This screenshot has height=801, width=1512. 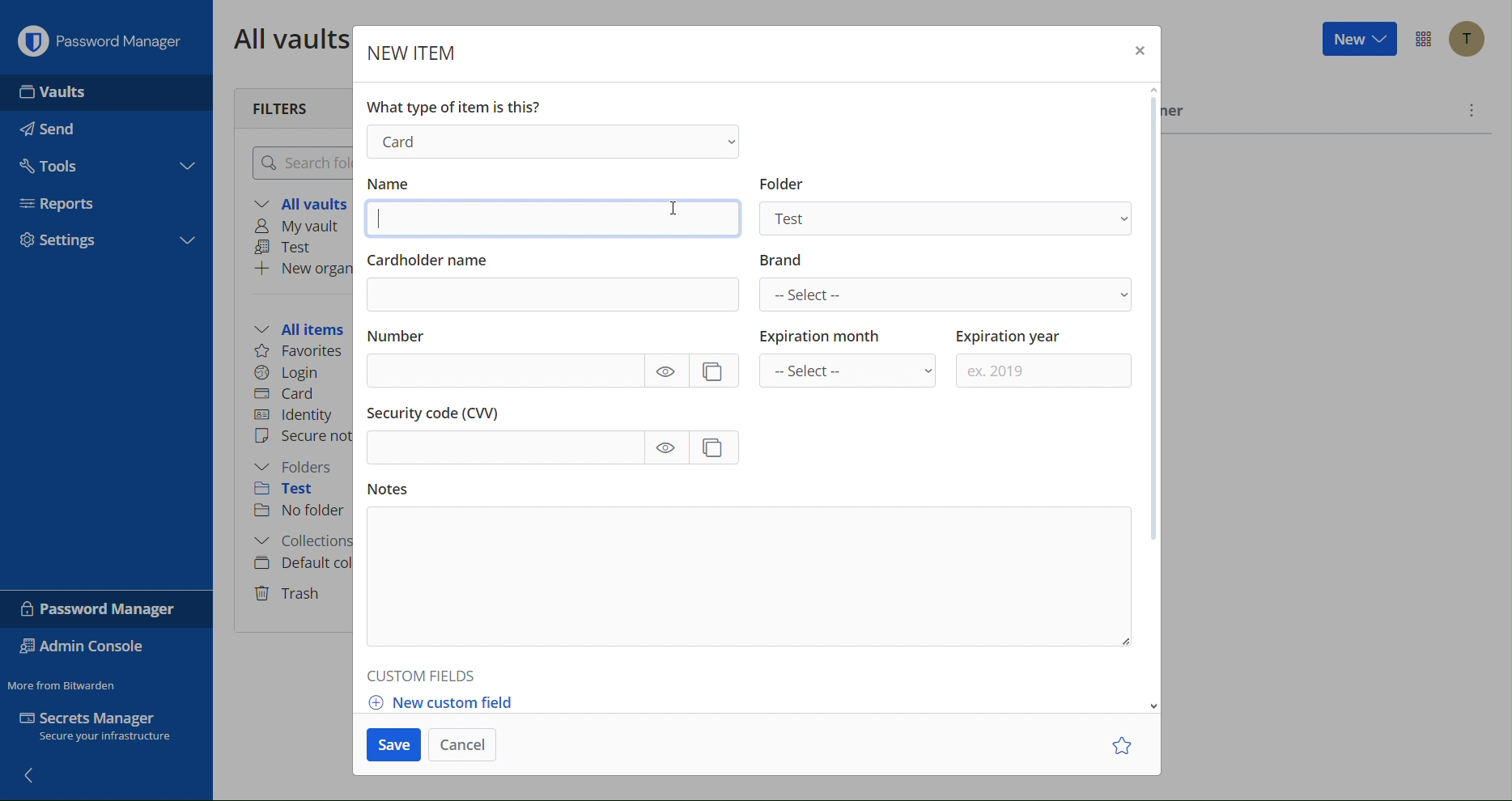 What do you see at coordinates (389, 489) in the screenshot?
I see `Notes` at bounding box center [389, 489].